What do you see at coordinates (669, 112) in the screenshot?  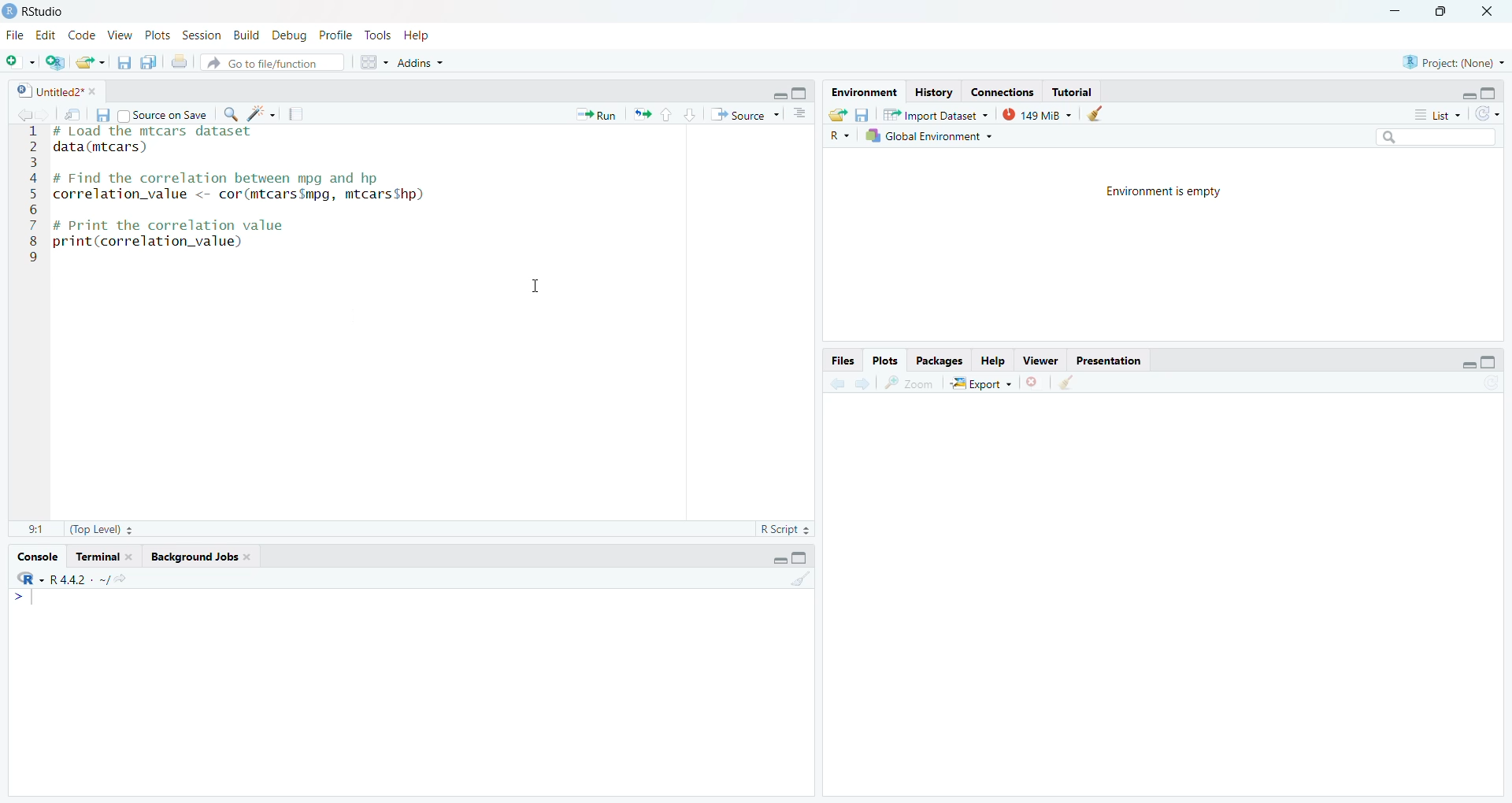 I see `Go to previous section/chunk (Ctrl + PgUp)` at bounding box center [669, 112].